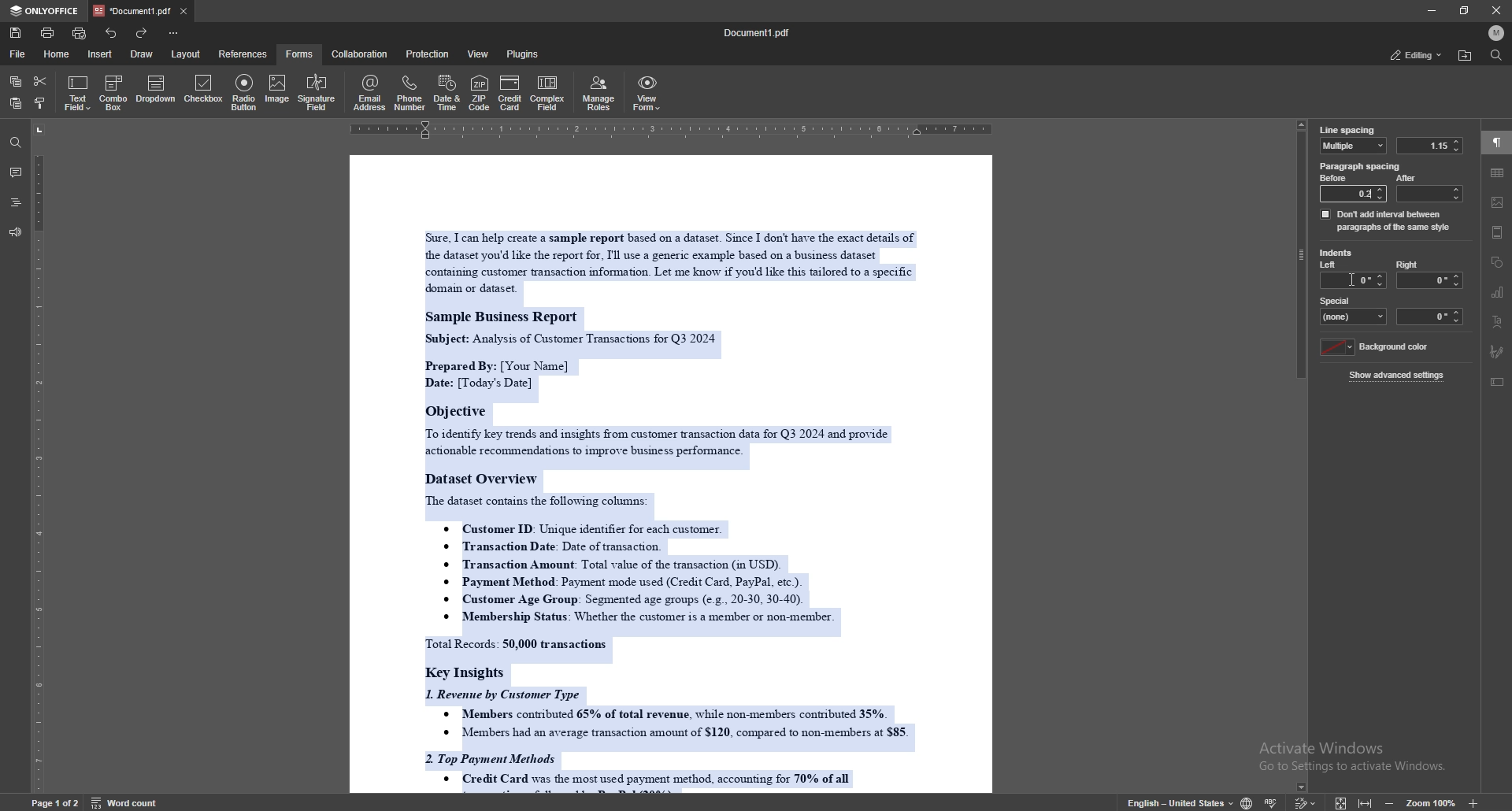  I want to click on protection, so click(429, 54).